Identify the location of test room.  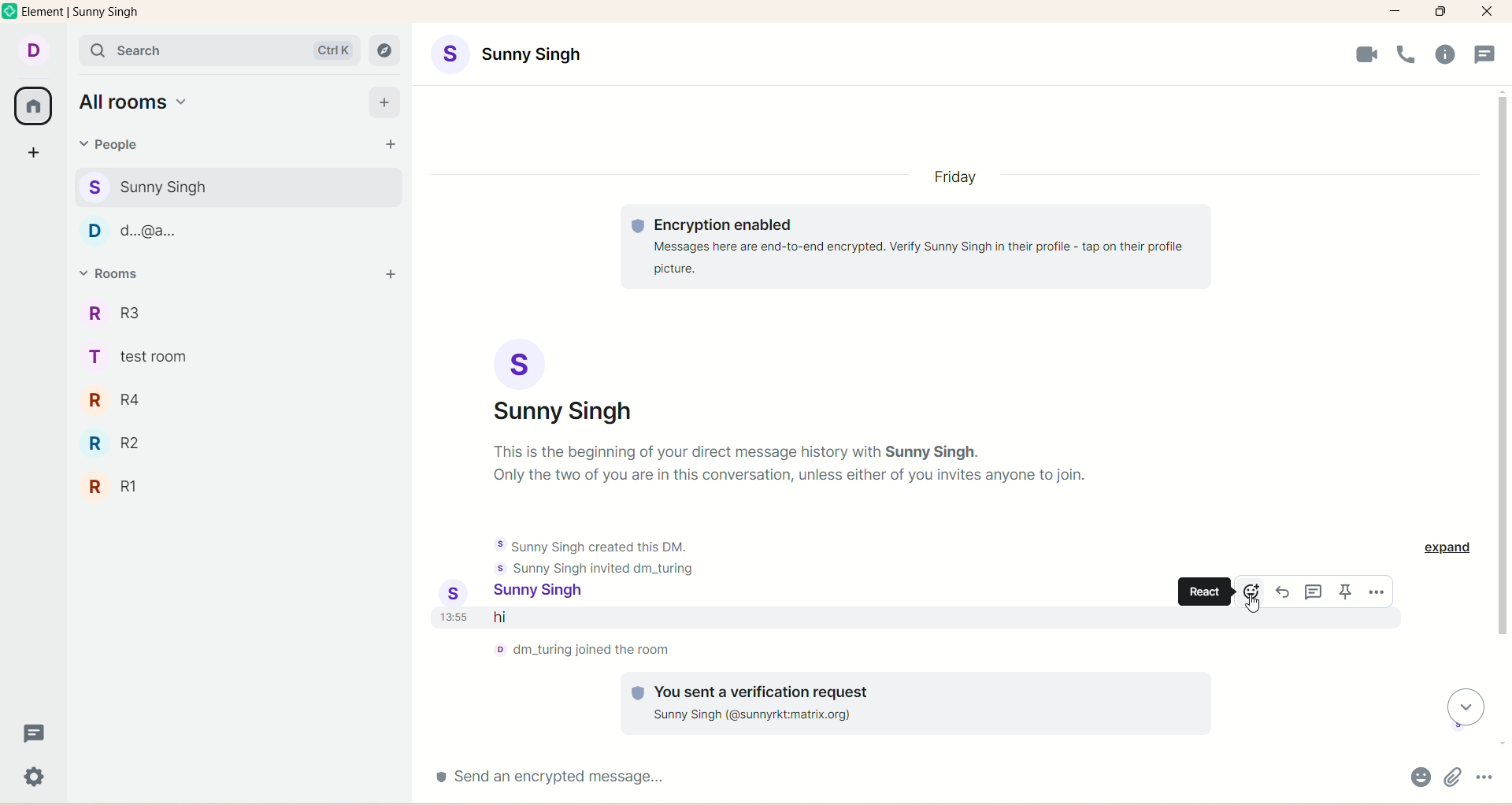
(145, 357).